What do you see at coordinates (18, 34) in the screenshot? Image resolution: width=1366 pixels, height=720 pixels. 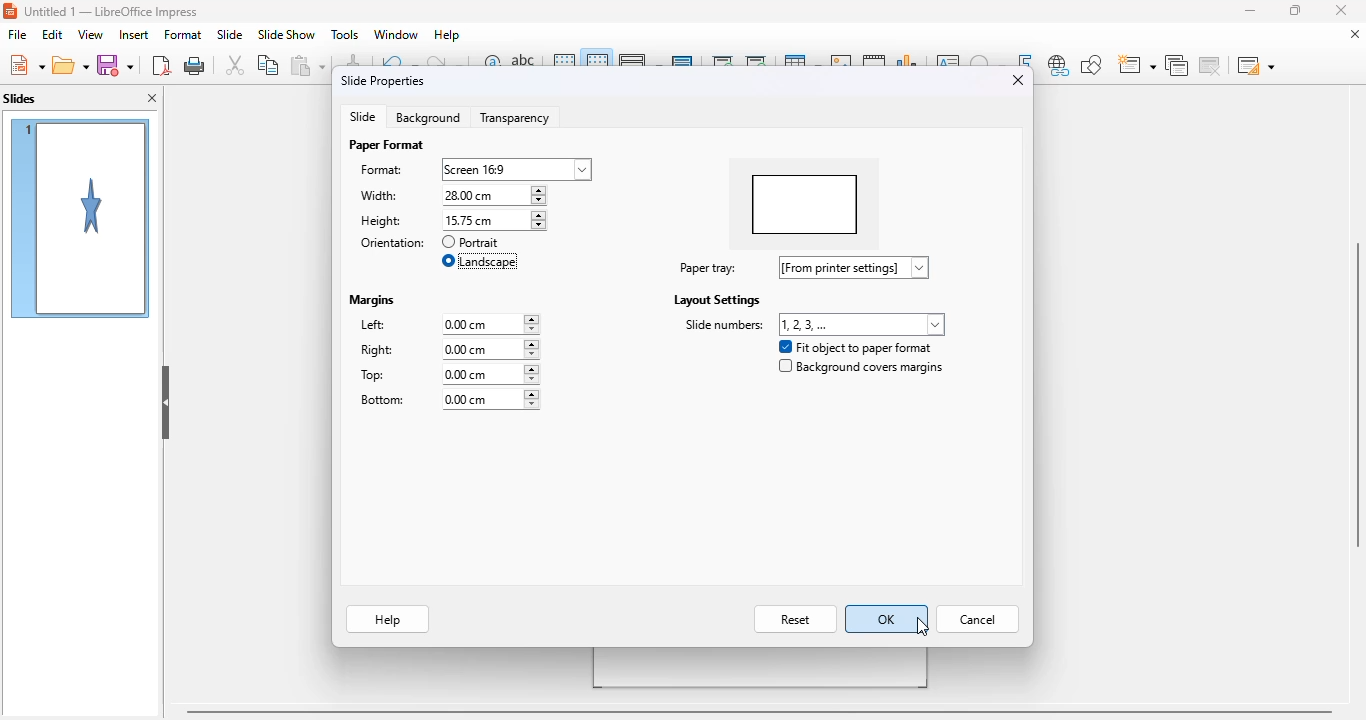 I see `file` at bounding box center [18, 34].